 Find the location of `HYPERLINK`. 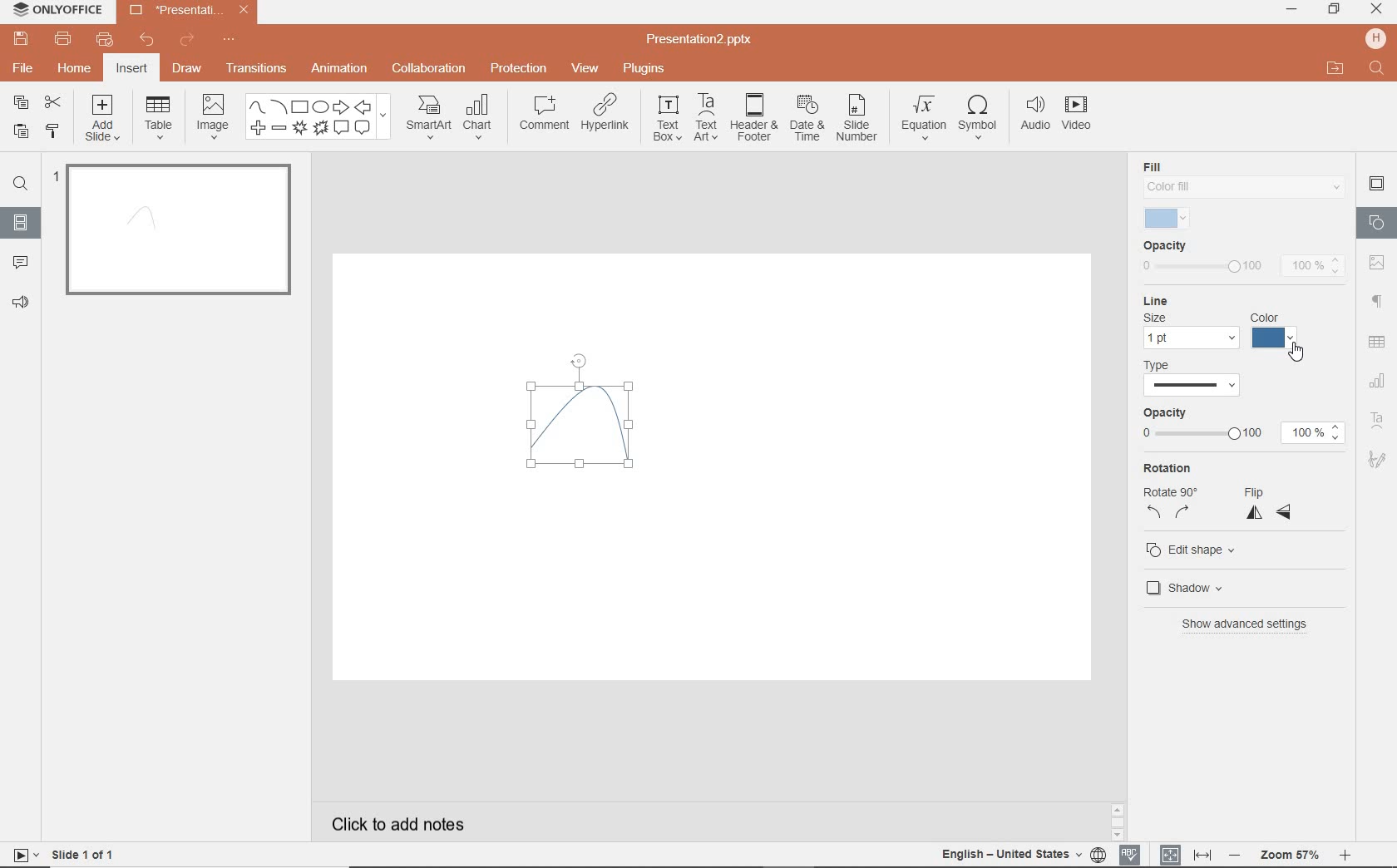

HYPERLINK is located at coordinates (608, 116).